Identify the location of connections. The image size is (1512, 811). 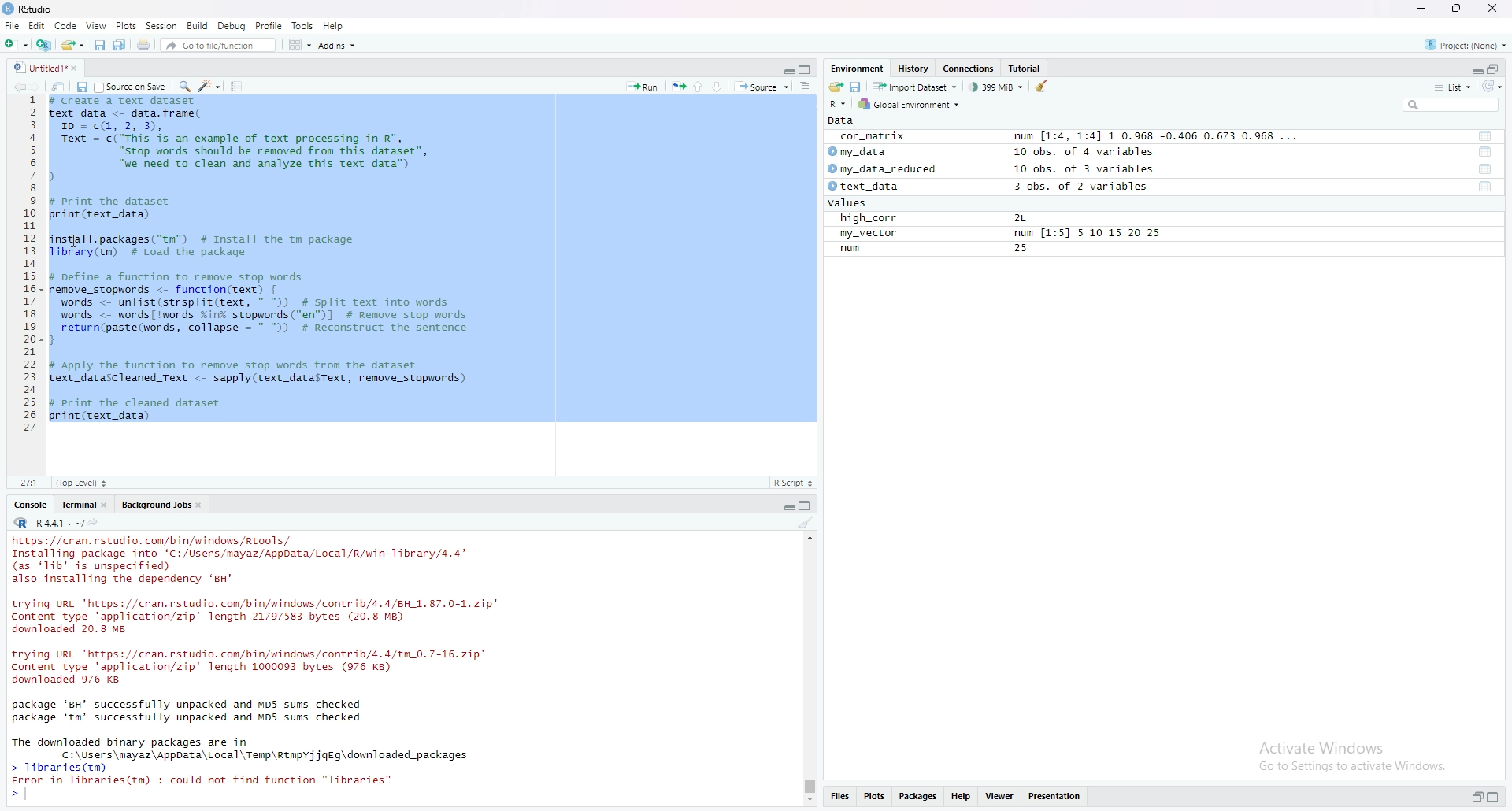
(971, 69).